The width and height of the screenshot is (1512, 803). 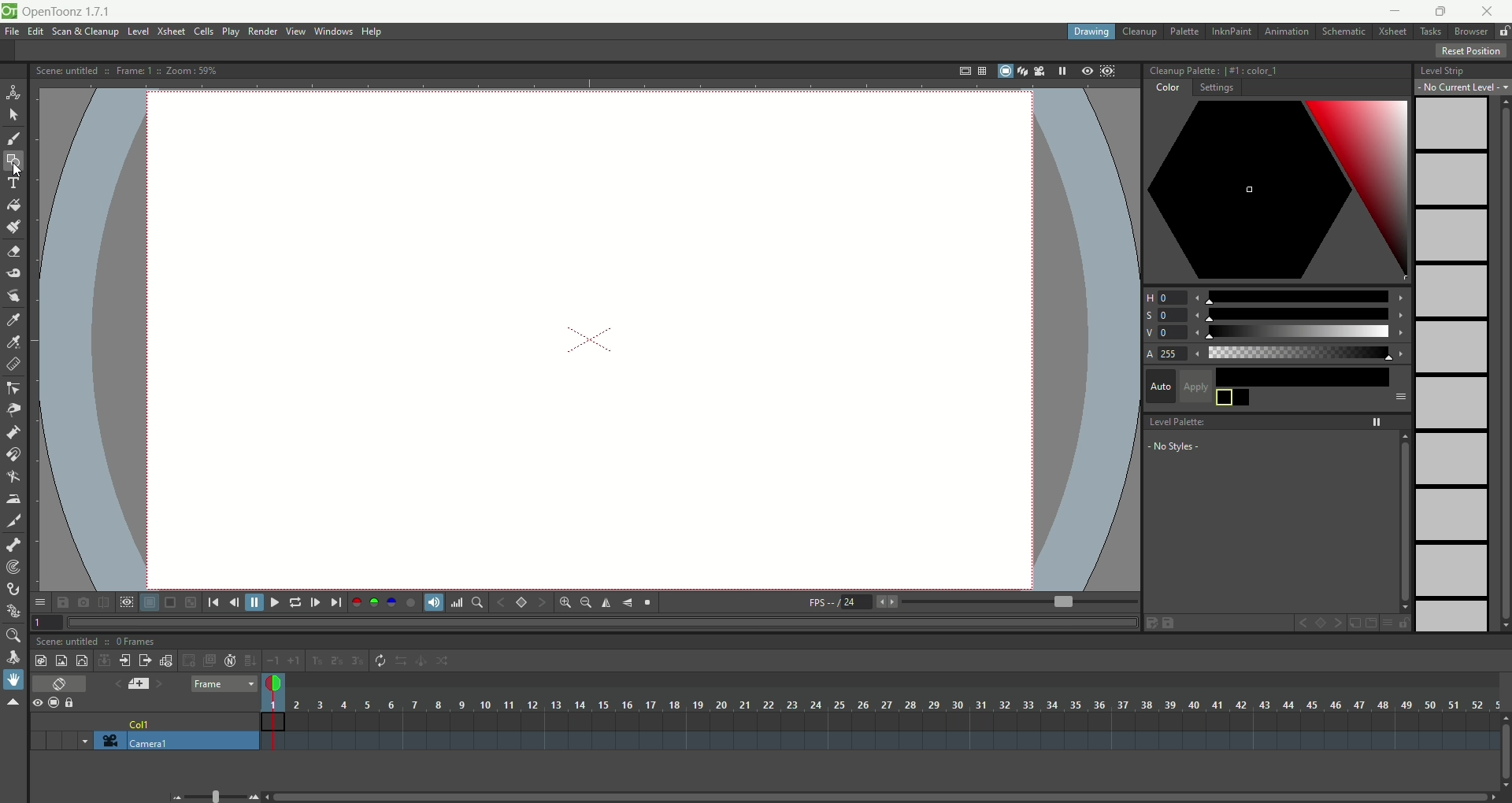 I want to click on level strip, so click(x=1462, y=68).